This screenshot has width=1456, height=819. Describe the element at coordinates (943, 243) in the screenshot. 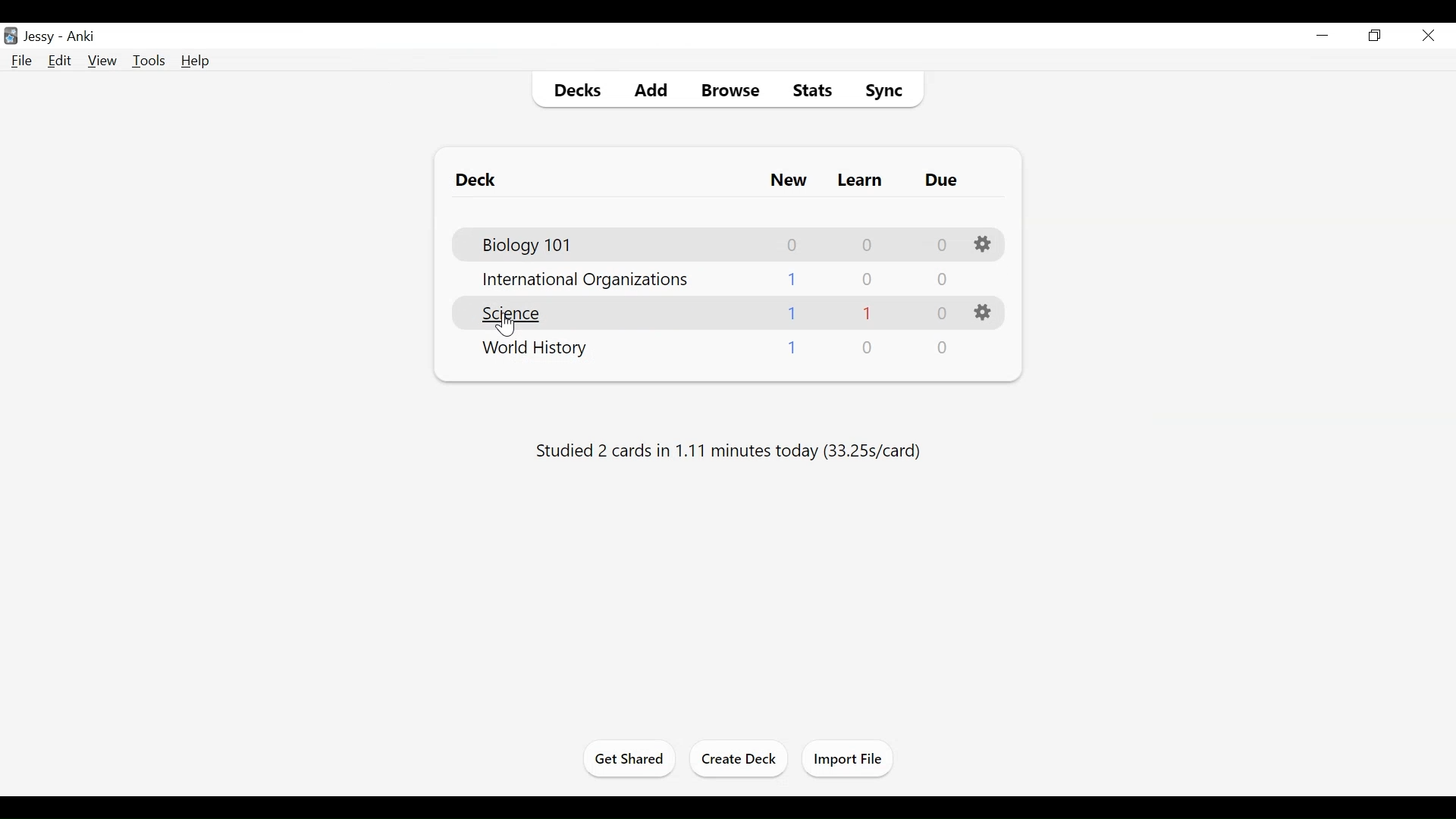

I see `Due Cards Count` at that location.